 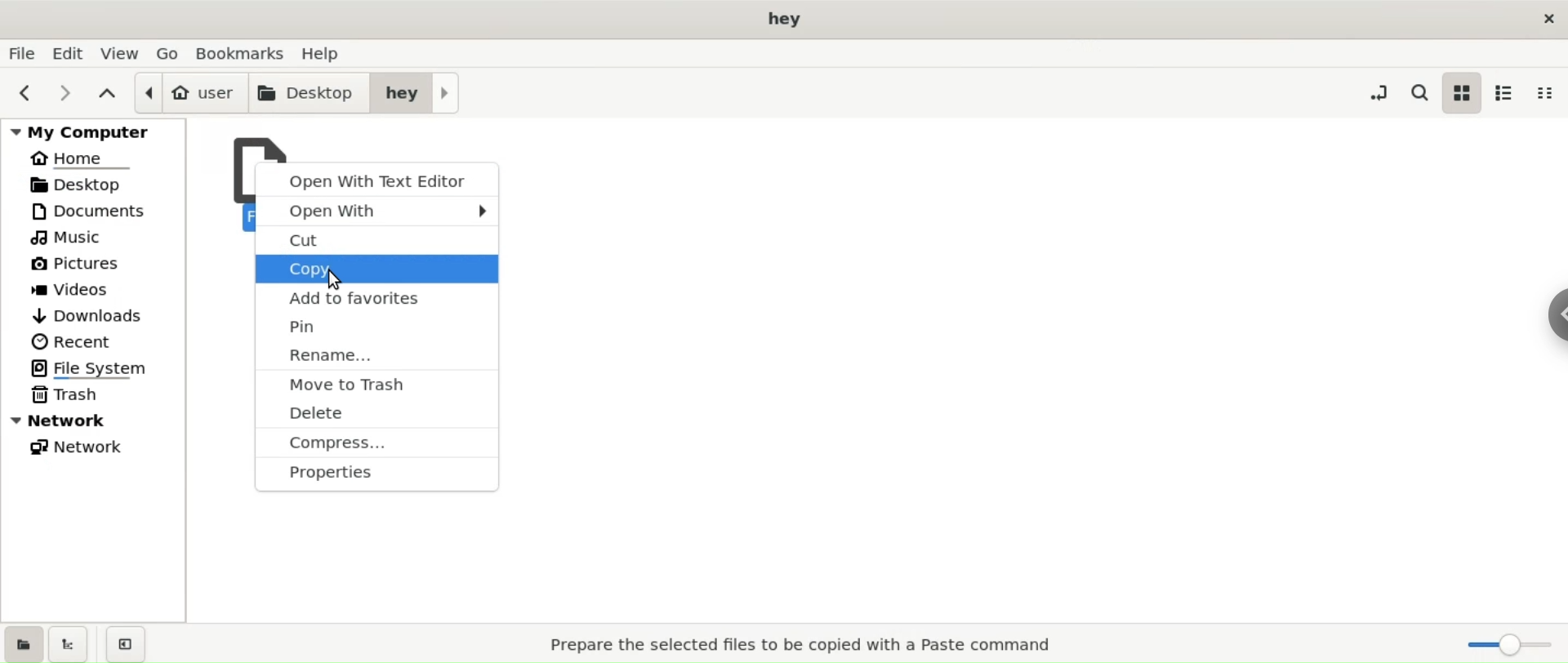 What do you see at coordinates (376, 387) in the screenshot?
I see `move to trash` at bounding box center [376, 387].